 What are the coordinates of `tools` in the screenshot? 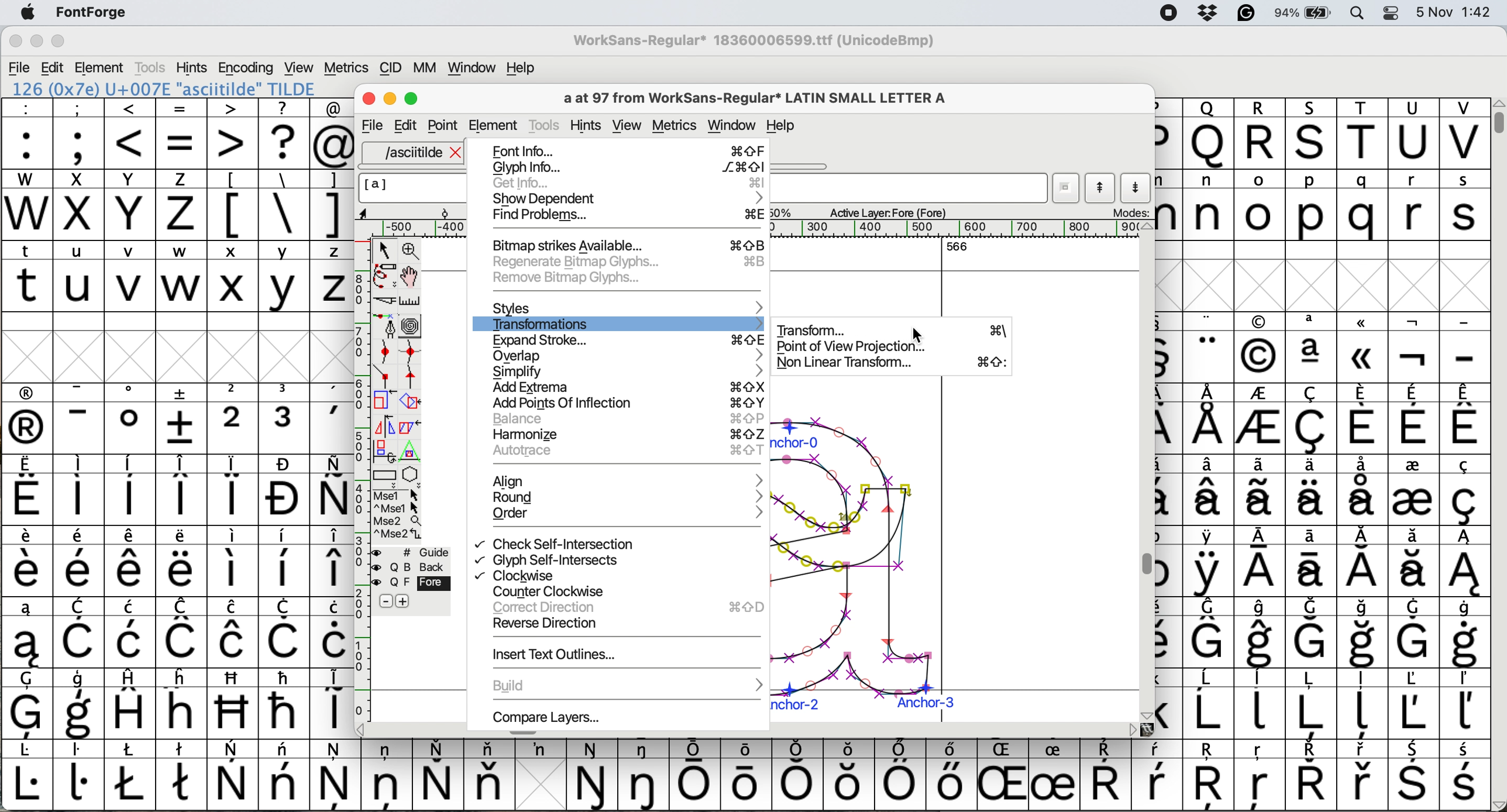 It's located at (546, 123).